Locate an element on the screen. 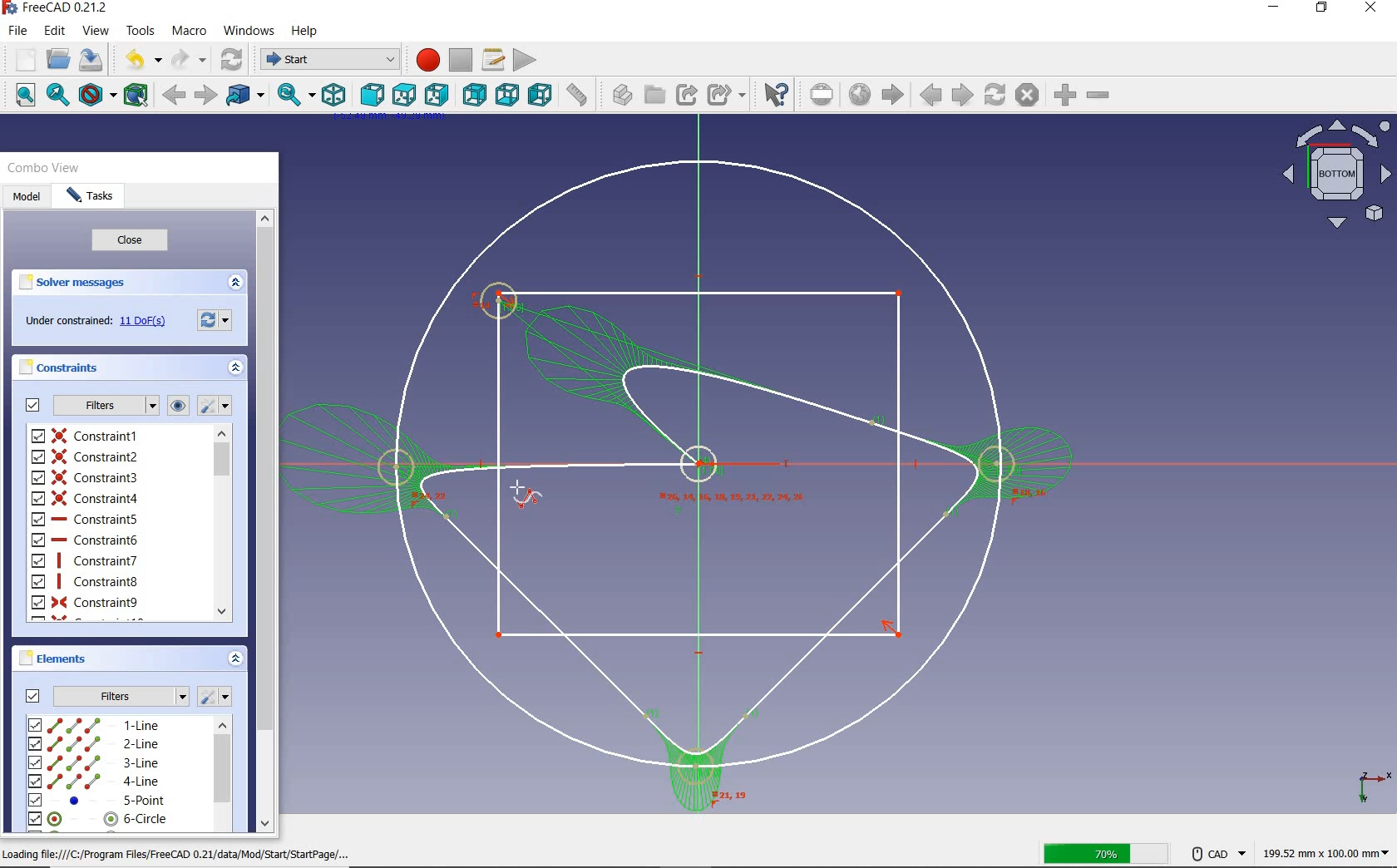 The height and width of the screenshot is (868, 1397). next page is located at coordinates (961, 95).